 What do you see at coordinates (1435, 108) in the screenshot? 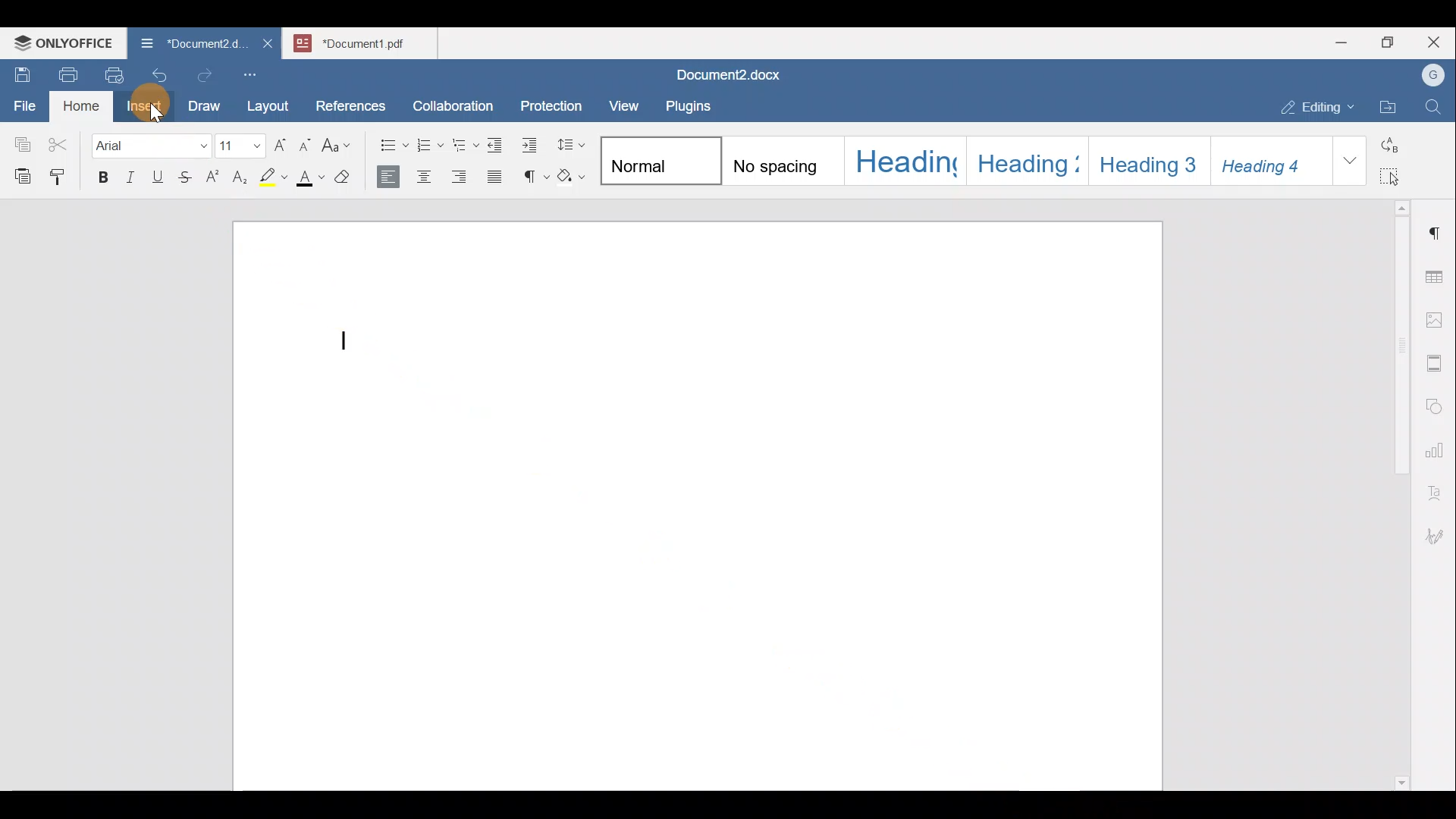
I see `Find` at bounding box center [1435, 108].